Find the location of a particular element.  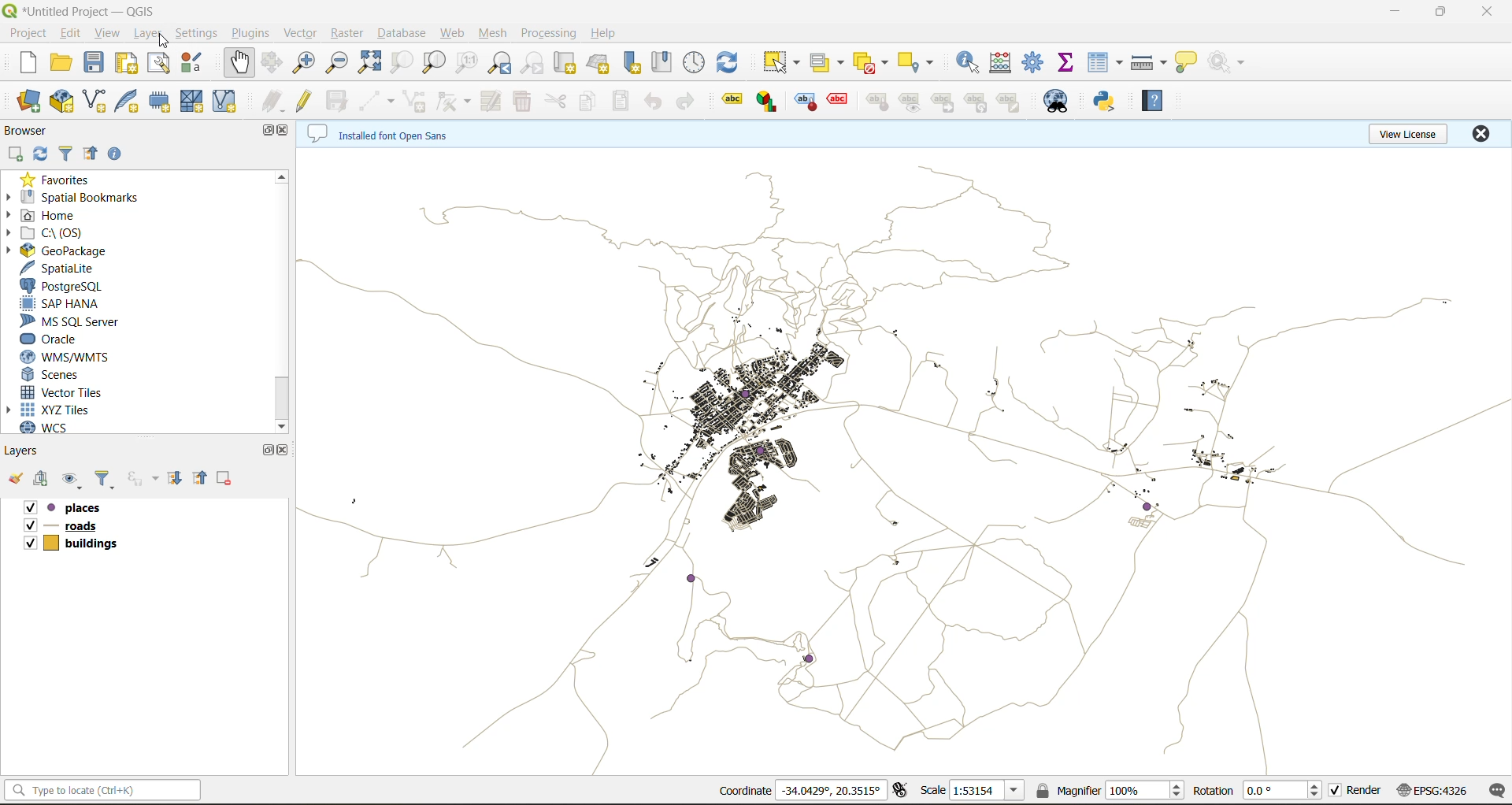

statistical summary is located at coordinates (1068, 65).